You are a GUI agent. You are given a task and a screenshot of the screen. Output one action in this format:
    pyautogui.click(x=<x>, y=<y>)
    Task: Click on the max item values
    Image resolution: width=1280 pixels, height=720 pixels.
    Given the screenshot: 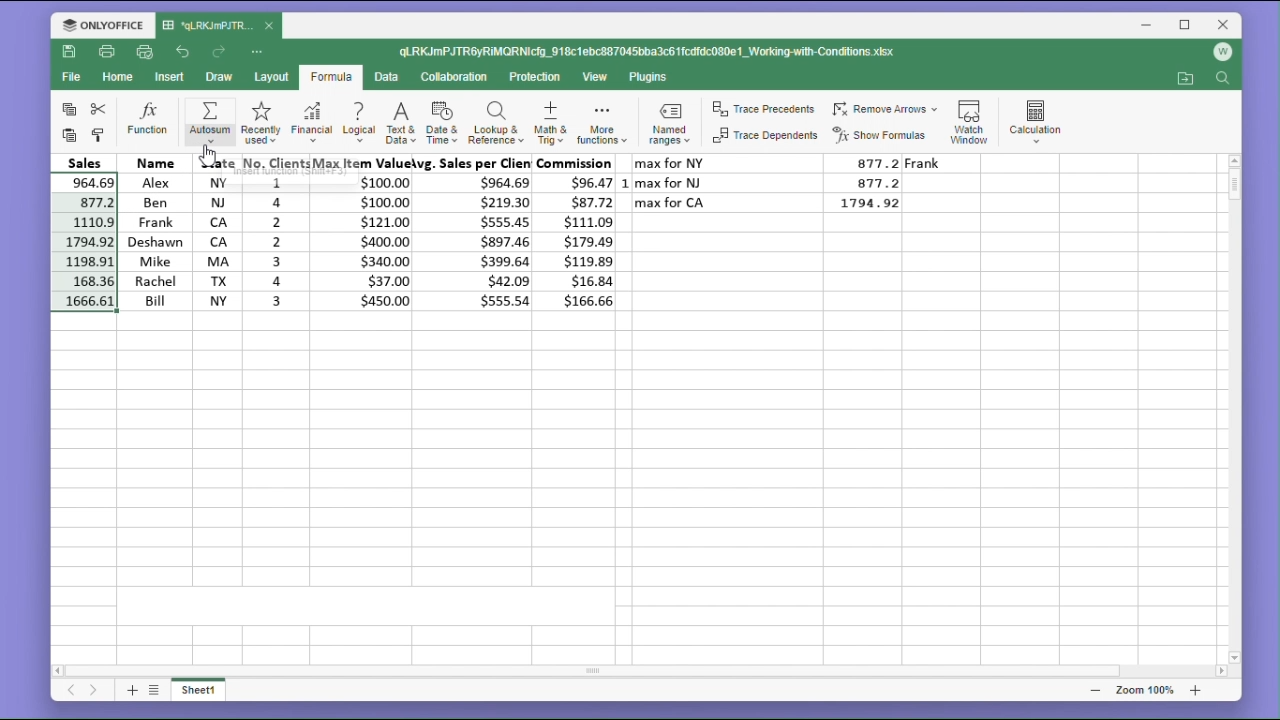 What is the action you would take?
    pyautogui.click(x=365, y=233)
    